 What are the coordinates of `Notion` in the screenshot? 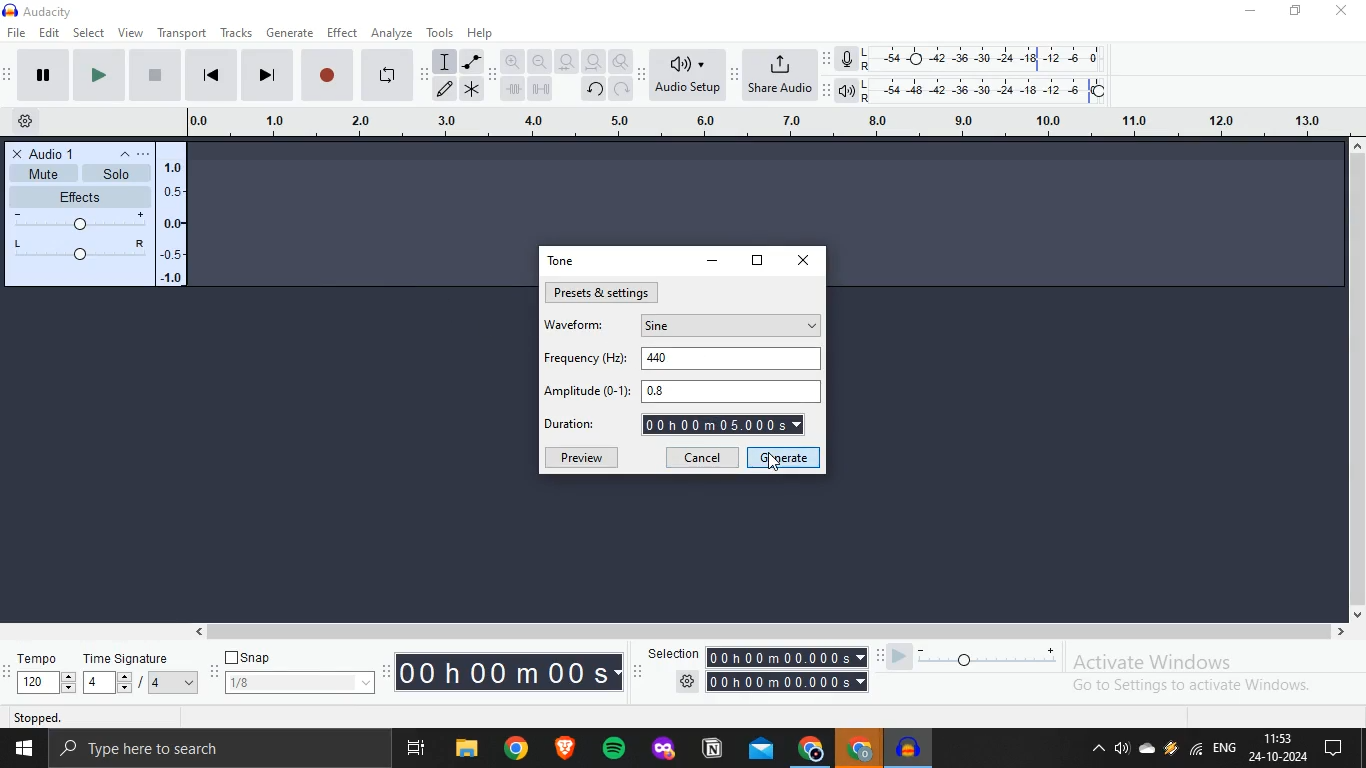 It's located at (712, 753).